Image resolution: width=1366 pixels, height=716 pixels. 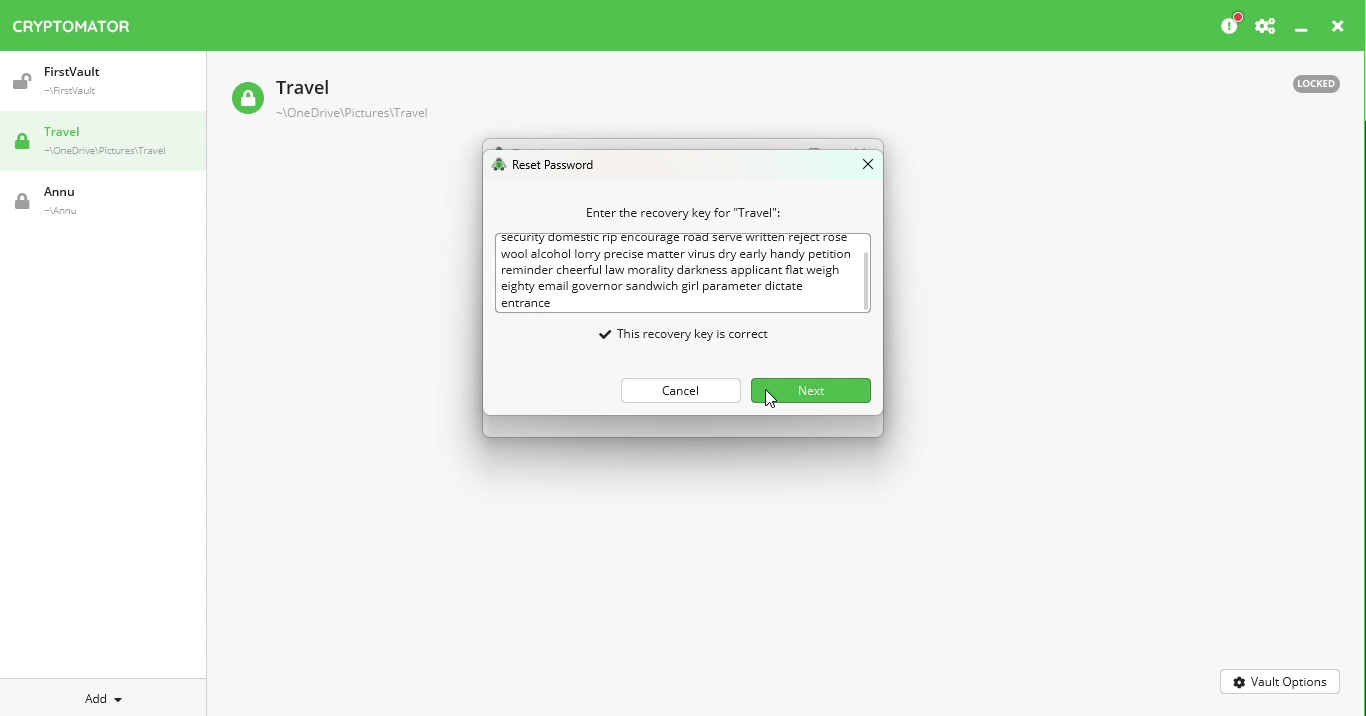 I want to click on Travel, so click(x=110, y=143).